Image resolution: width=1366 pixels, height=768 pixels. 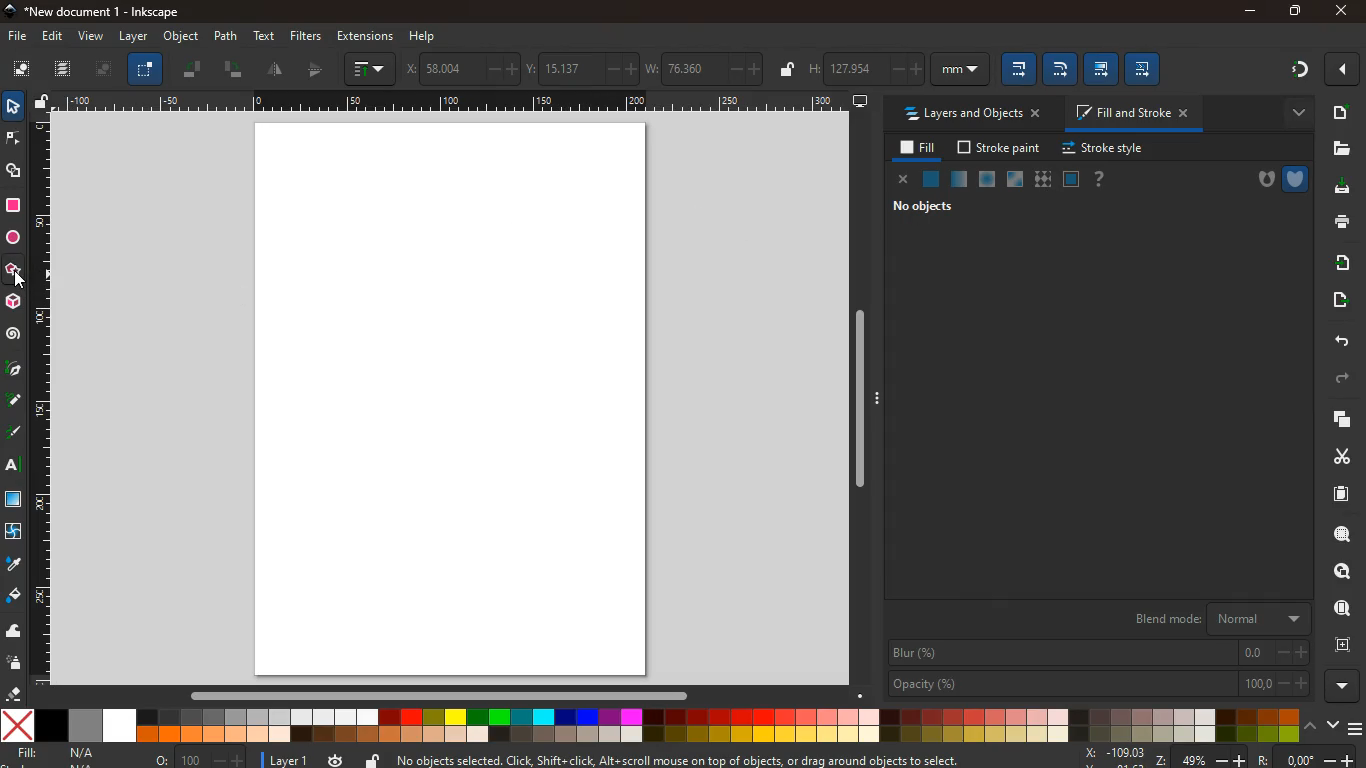 What do you see at coordinates (53, 37) in the screenshot?
I see `edit` at bounding box center [53, 37].